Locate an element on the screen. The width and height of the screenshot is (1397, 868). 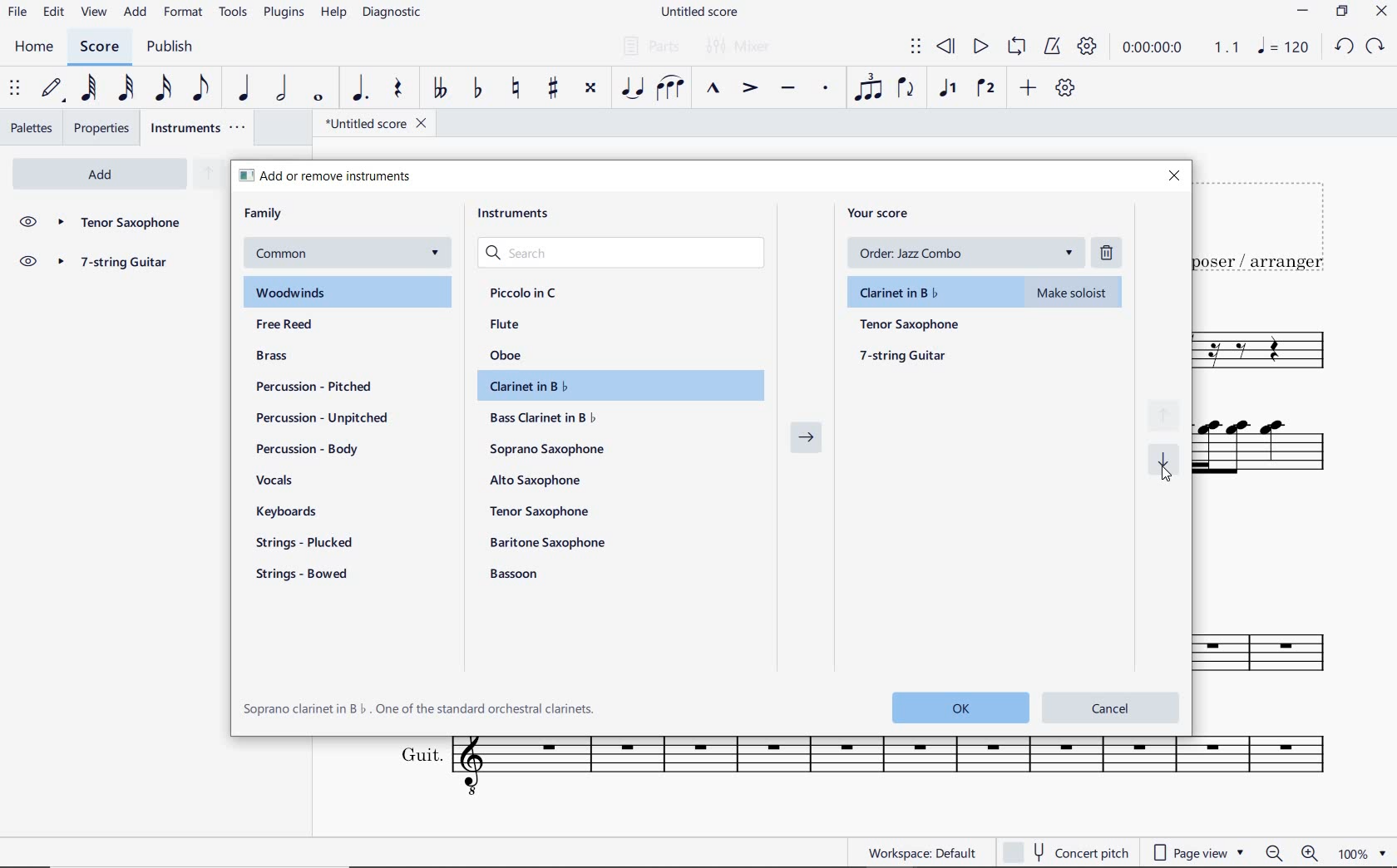
PLUGINS is located at coordinates (284, 13).